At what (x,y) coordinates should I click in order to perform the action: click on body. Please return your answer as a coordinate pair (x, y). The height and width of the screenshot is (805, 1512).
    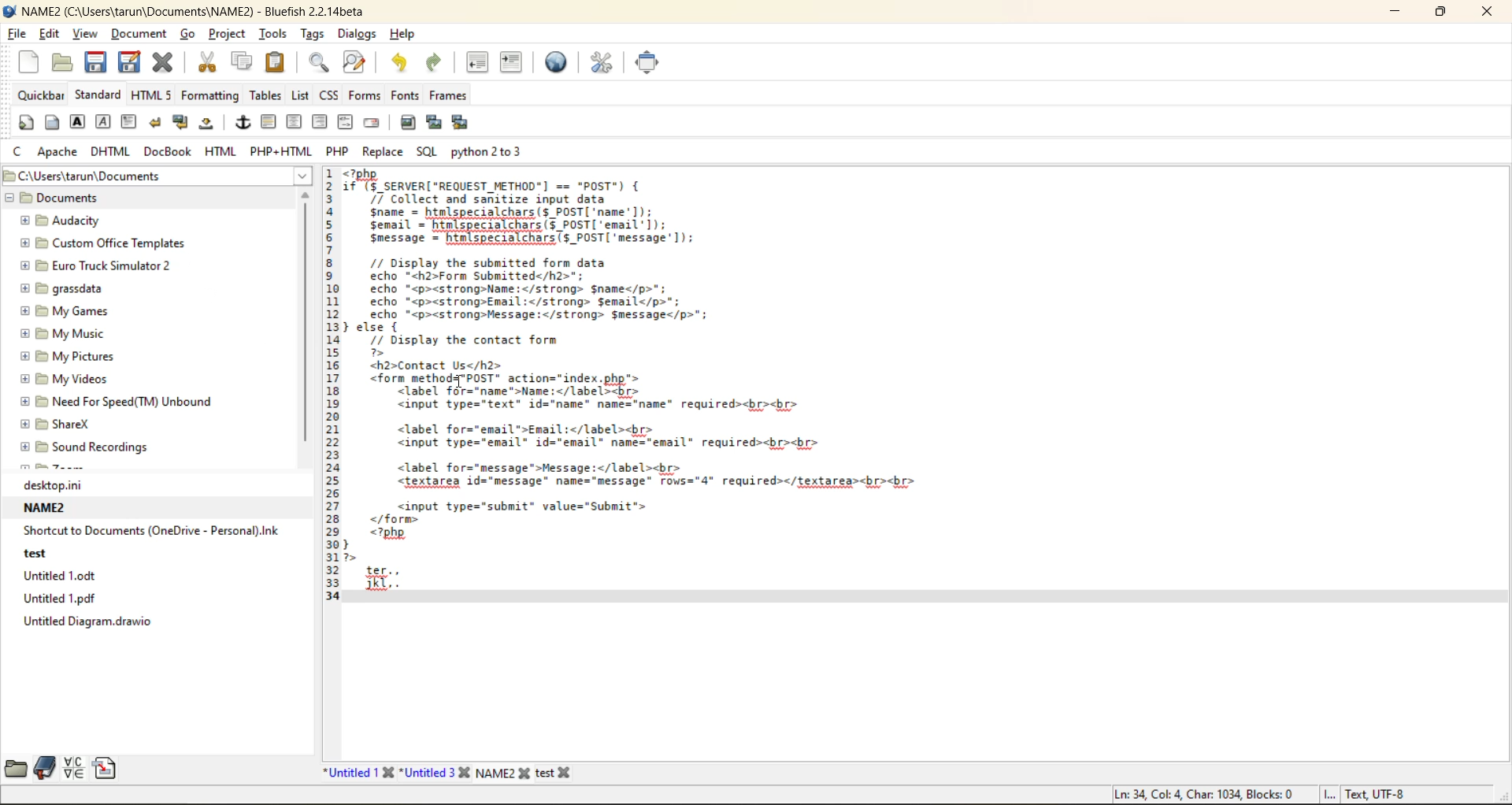
    Looking at the image, I should click on (53, 122).